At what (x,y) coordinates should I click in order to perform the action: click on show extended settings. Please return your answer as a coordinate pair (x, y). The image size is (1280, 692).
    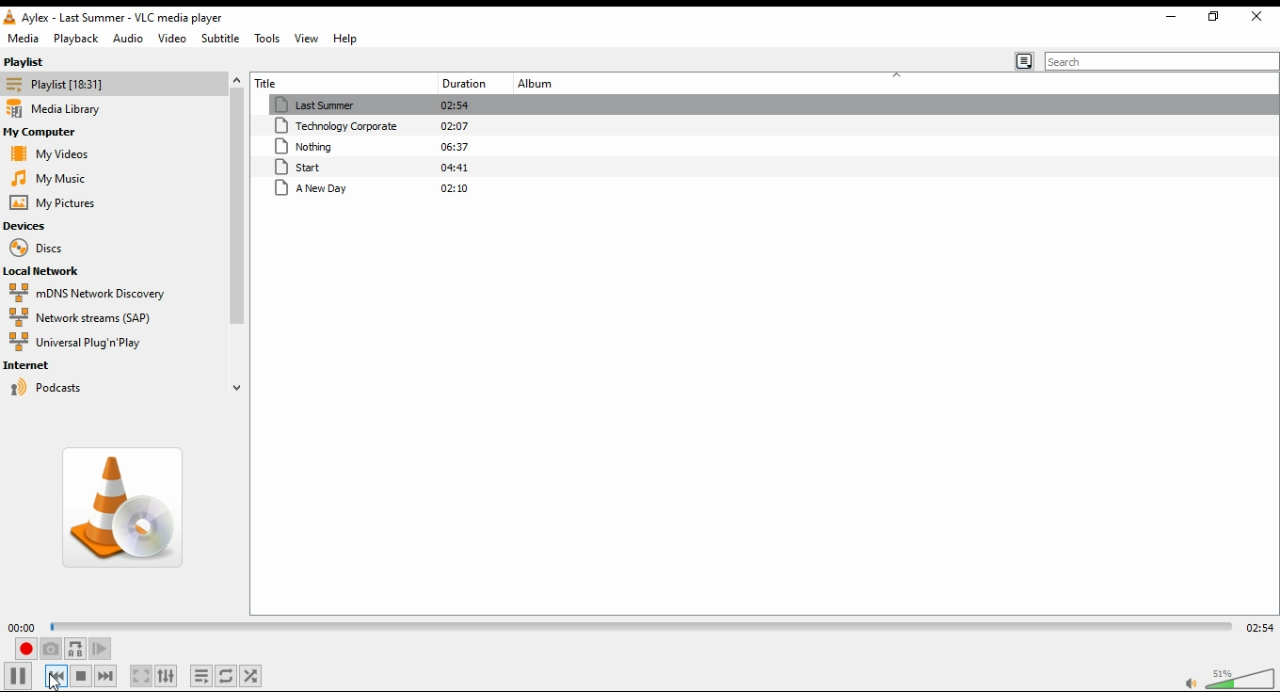
    Looking at the image, I should click on (167, 676).